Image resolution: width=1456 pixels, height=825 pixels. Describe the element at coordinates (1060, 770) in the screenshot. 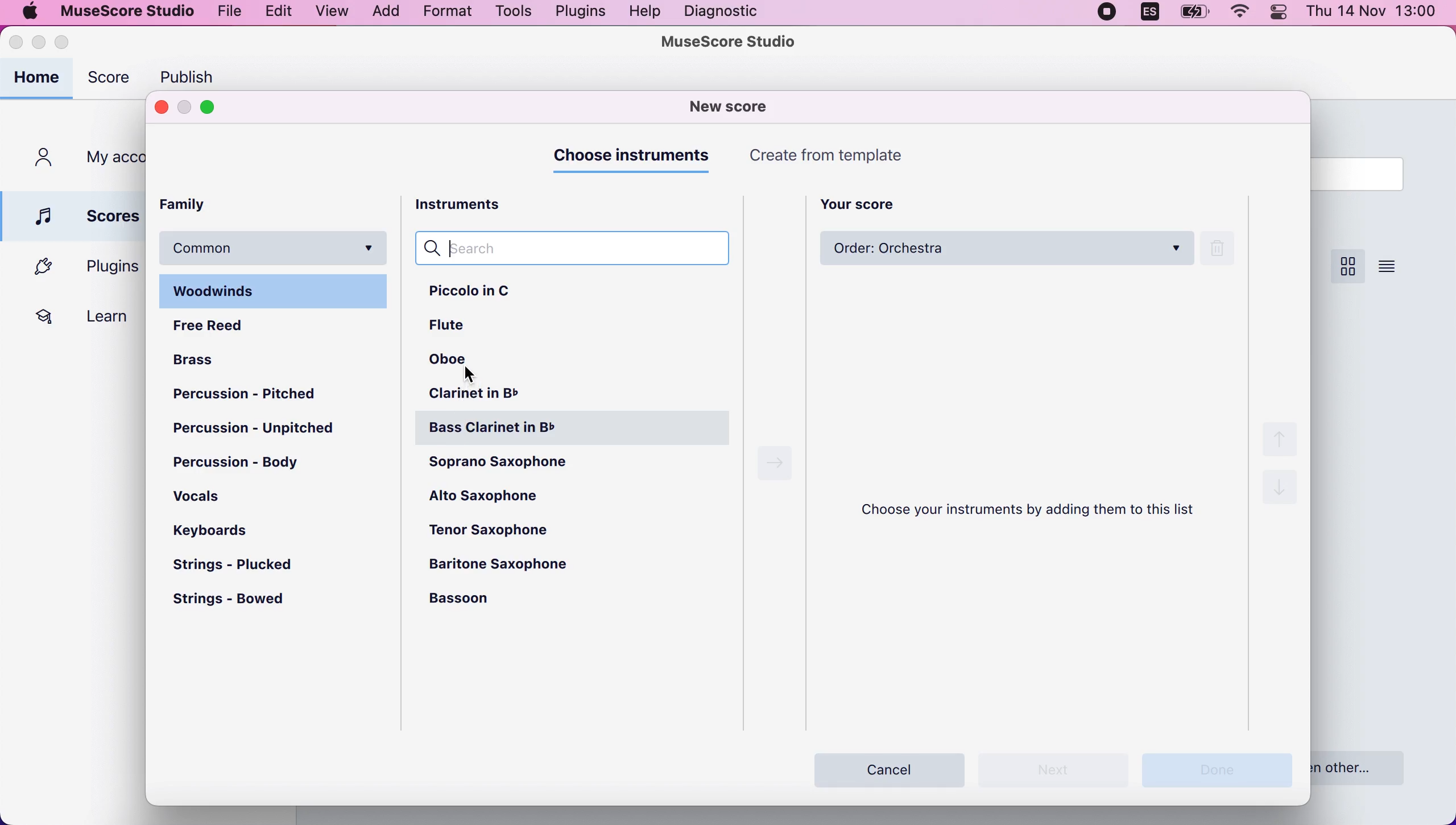

I see `next` at that location.